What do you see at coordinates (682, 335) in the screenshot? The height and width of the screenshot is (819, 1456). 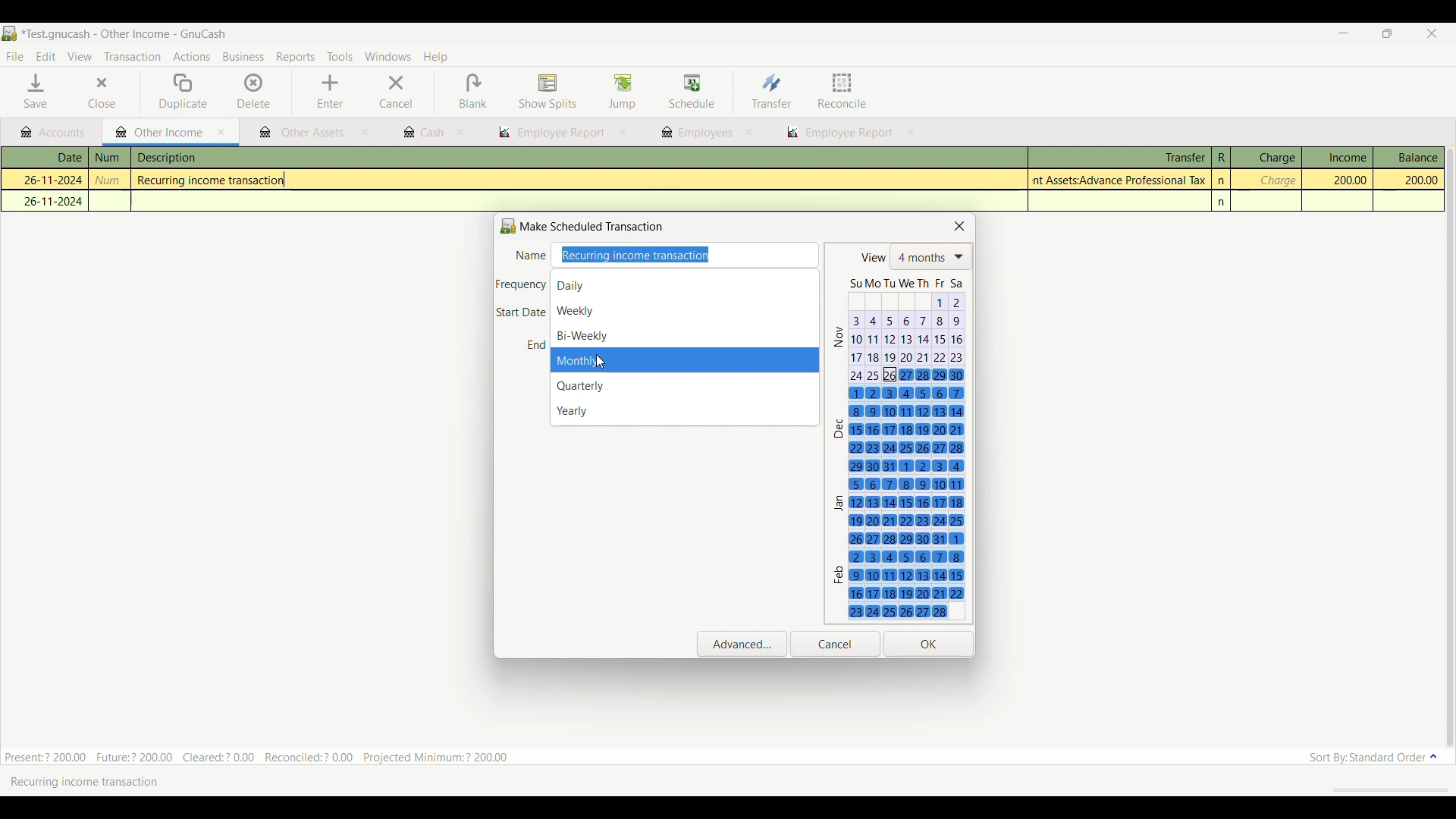 I see `Bi-Weekly` at bounding box center [682, 335].